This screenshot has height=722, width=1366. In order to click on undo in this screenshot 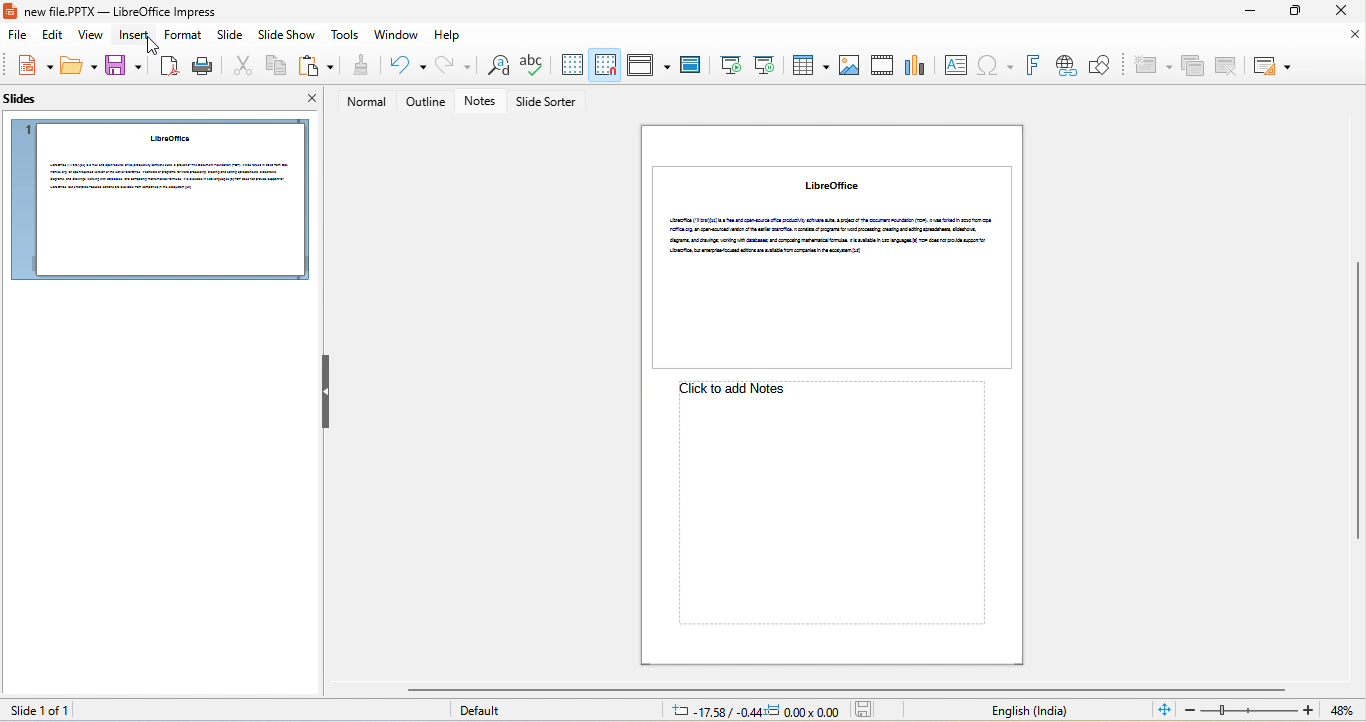, I will do `click(403, 66)`.